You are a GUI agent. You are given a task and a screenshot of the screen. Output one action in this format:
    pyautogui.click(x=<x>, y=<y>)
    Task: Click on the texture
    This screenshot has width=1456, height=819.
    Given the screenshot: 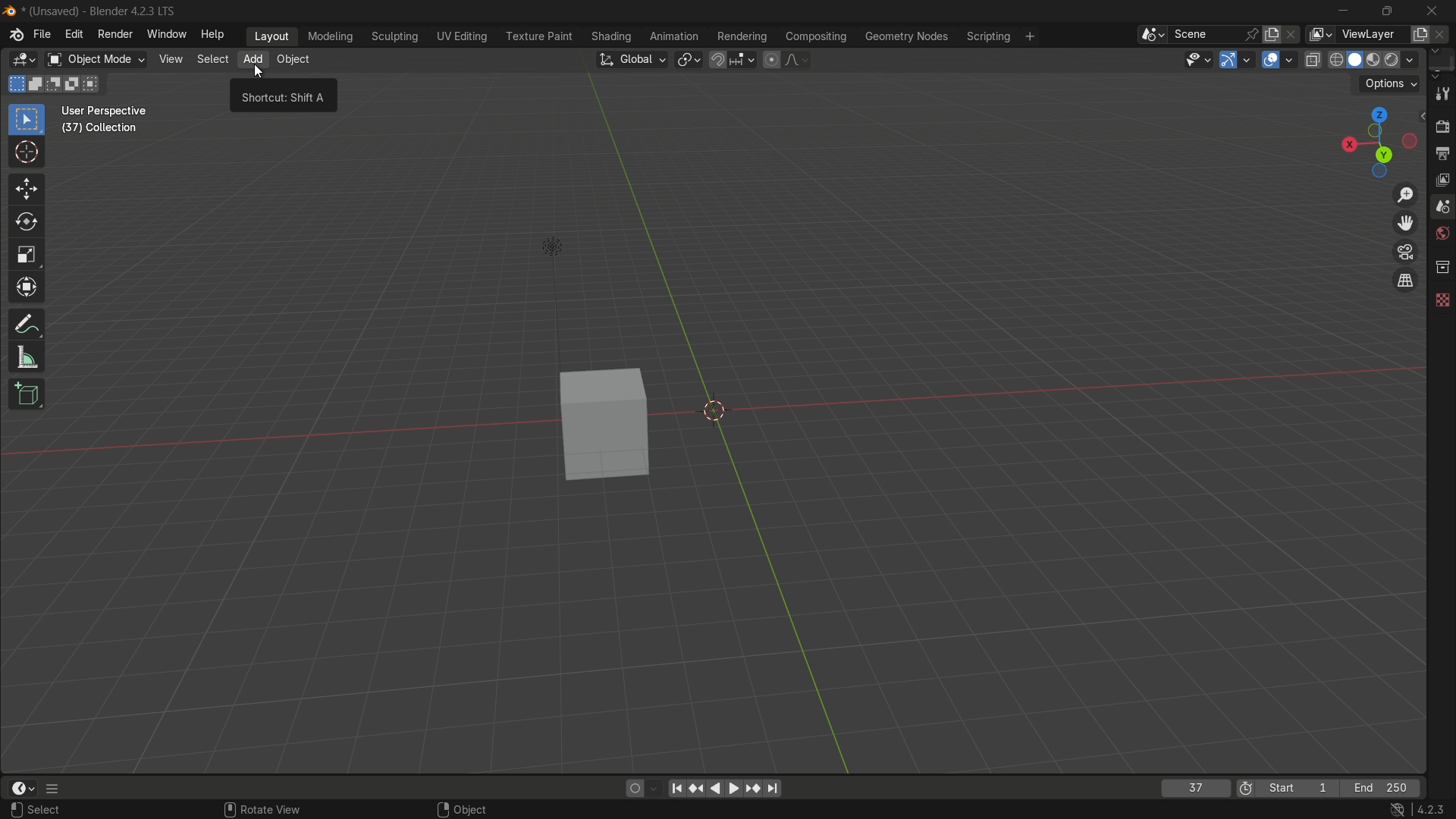 What is the action you would take?
    pyautogui.click(x=1442, y=300)
    